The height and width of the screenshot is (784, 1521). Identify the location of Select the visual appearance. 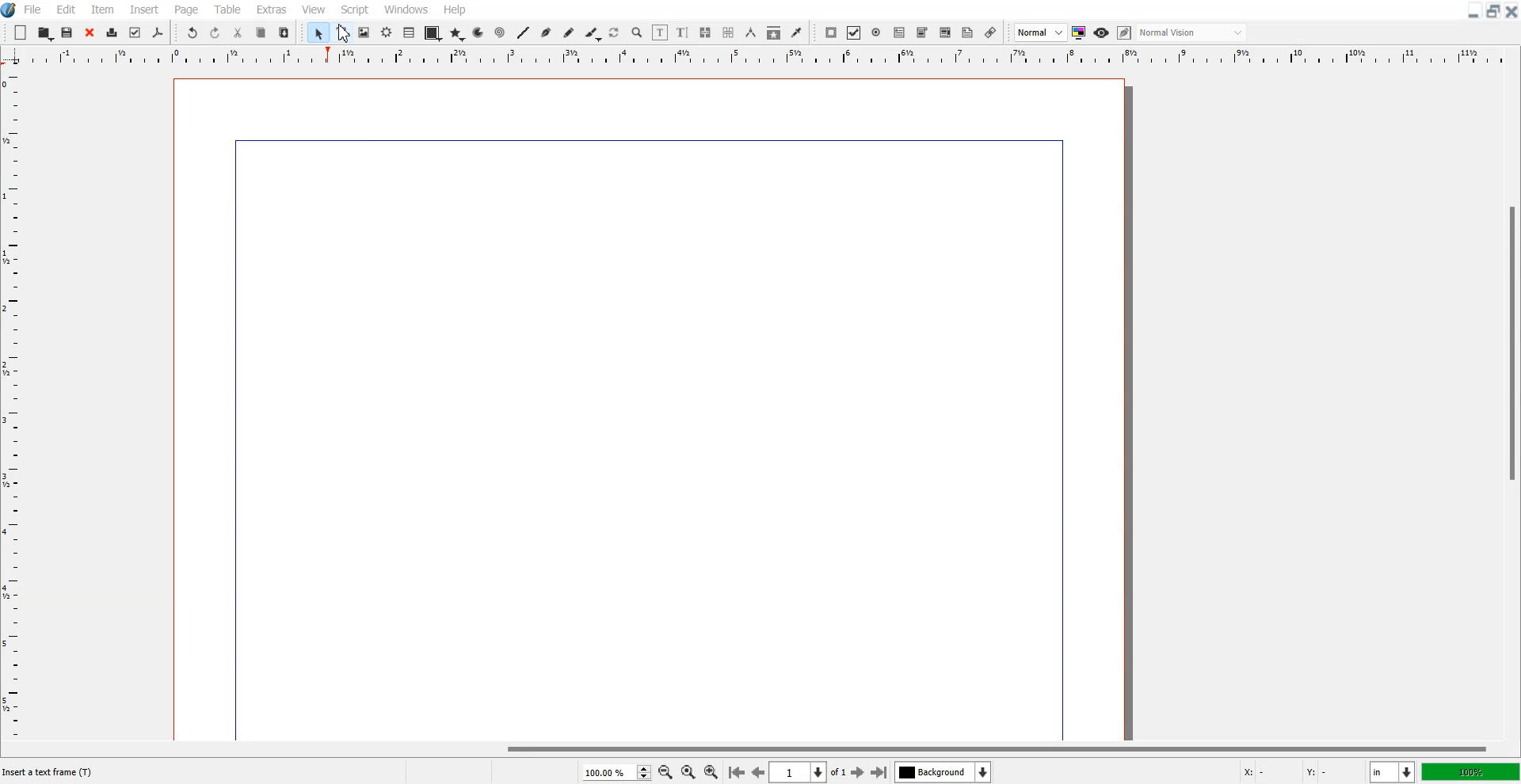
(1191, 32).